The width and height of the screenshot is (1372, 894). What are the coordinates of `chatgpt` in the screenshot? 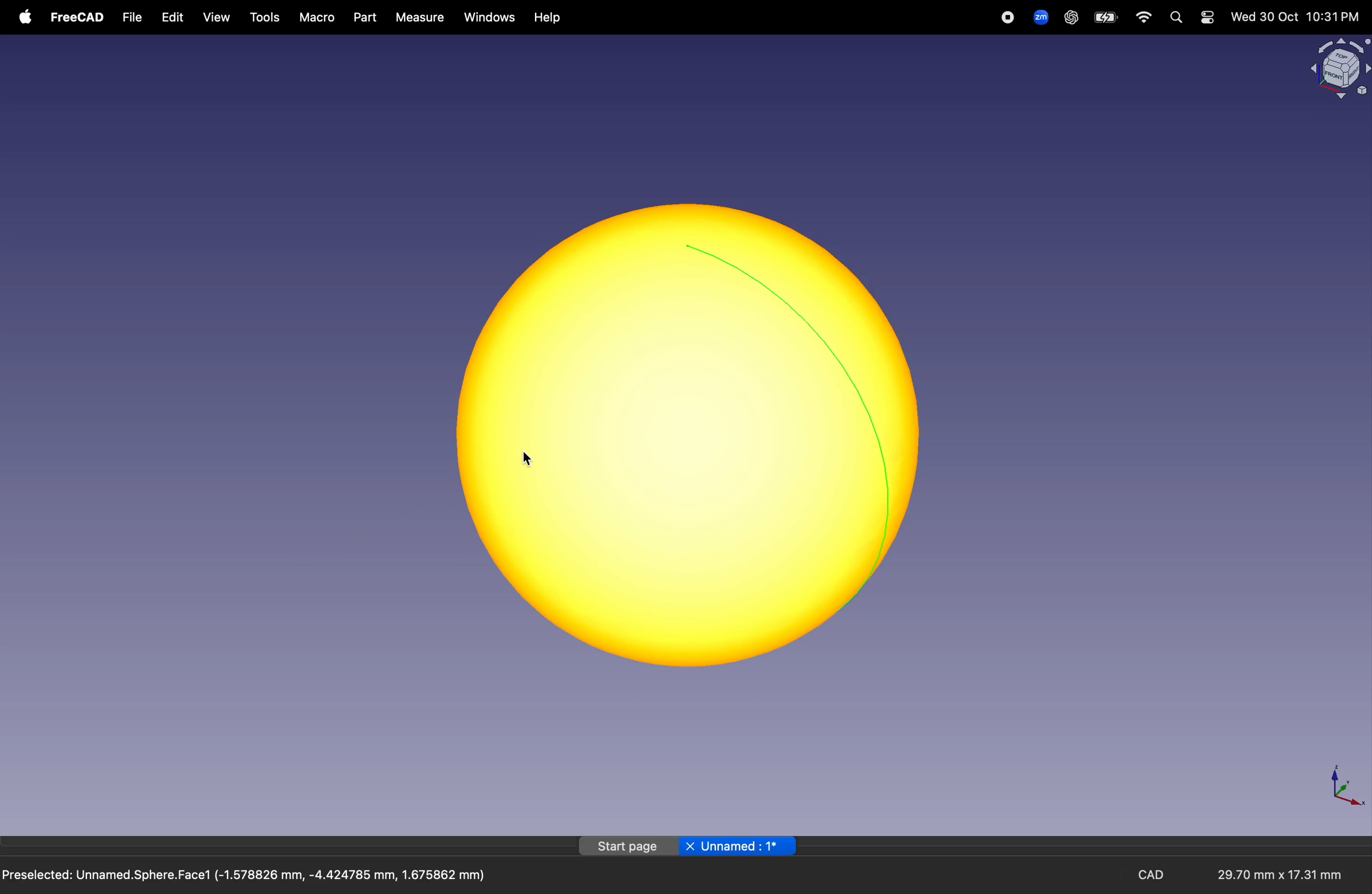 It's located at (1071, 17).